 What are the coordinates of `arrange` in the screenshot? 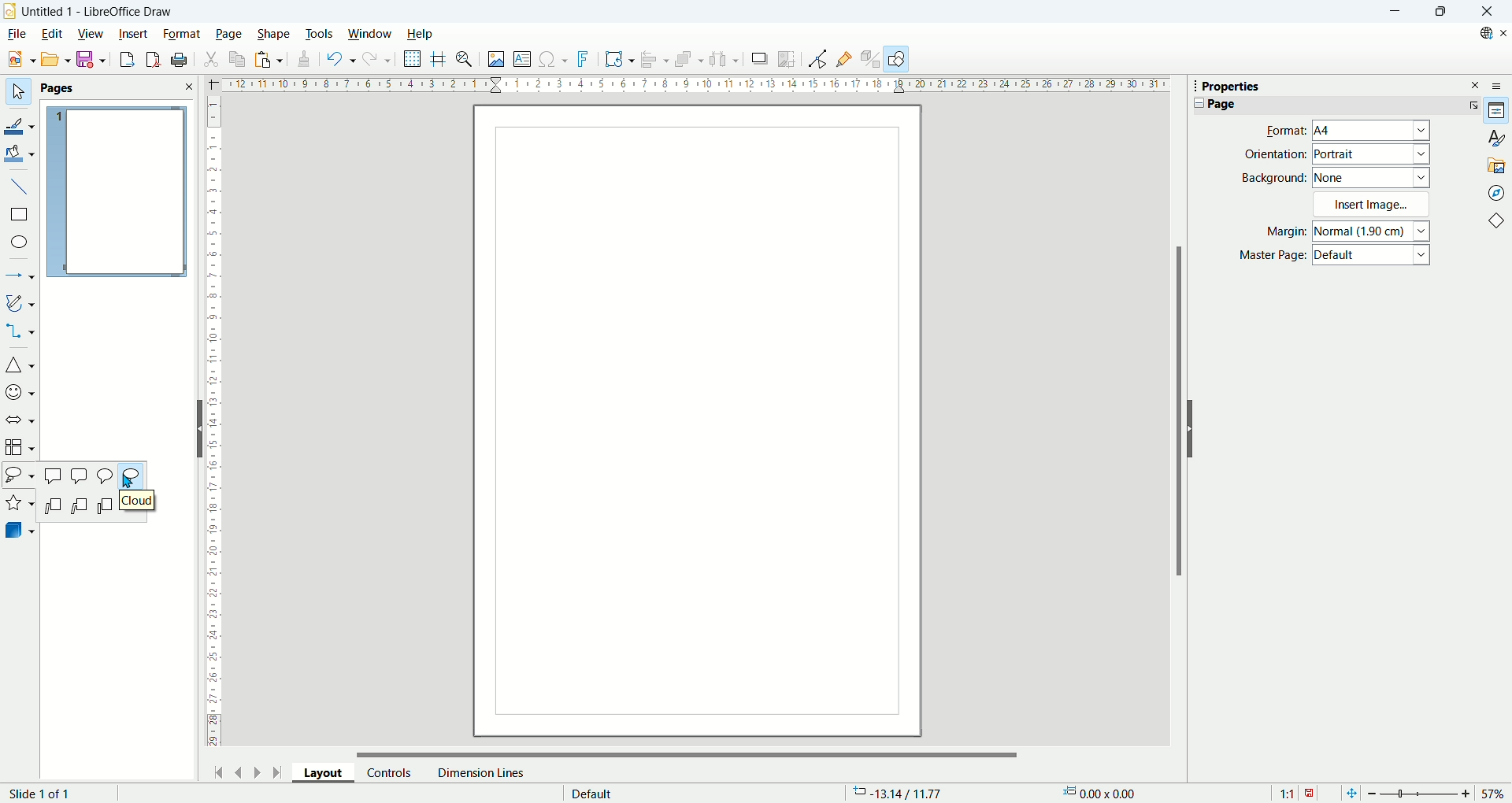 It's located at (691, 61).